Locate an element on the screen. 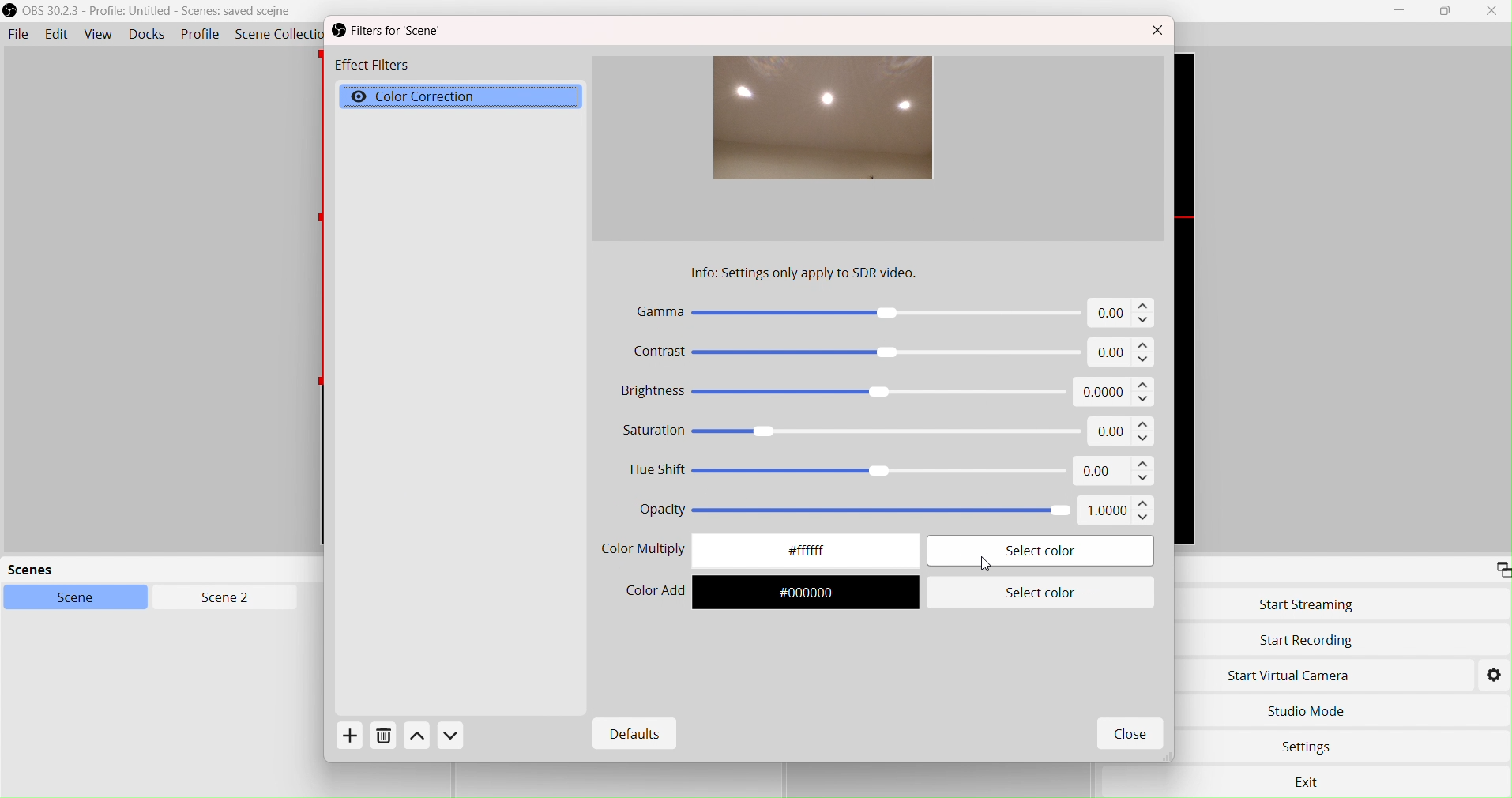  Scene is located at coordinates (85, 598).